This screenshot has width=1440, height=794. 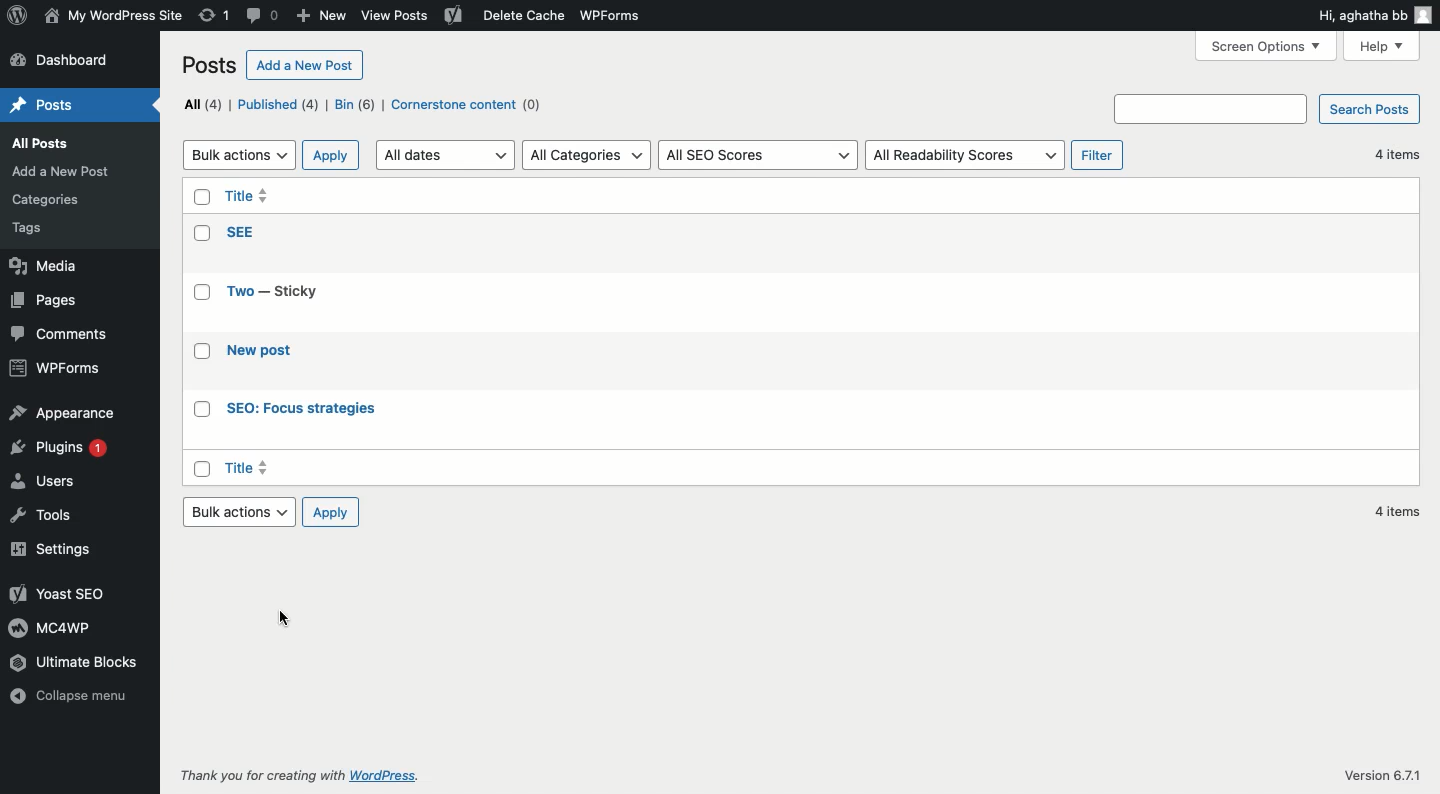 I want to click on Hi user, so click(x=1375, y=16).